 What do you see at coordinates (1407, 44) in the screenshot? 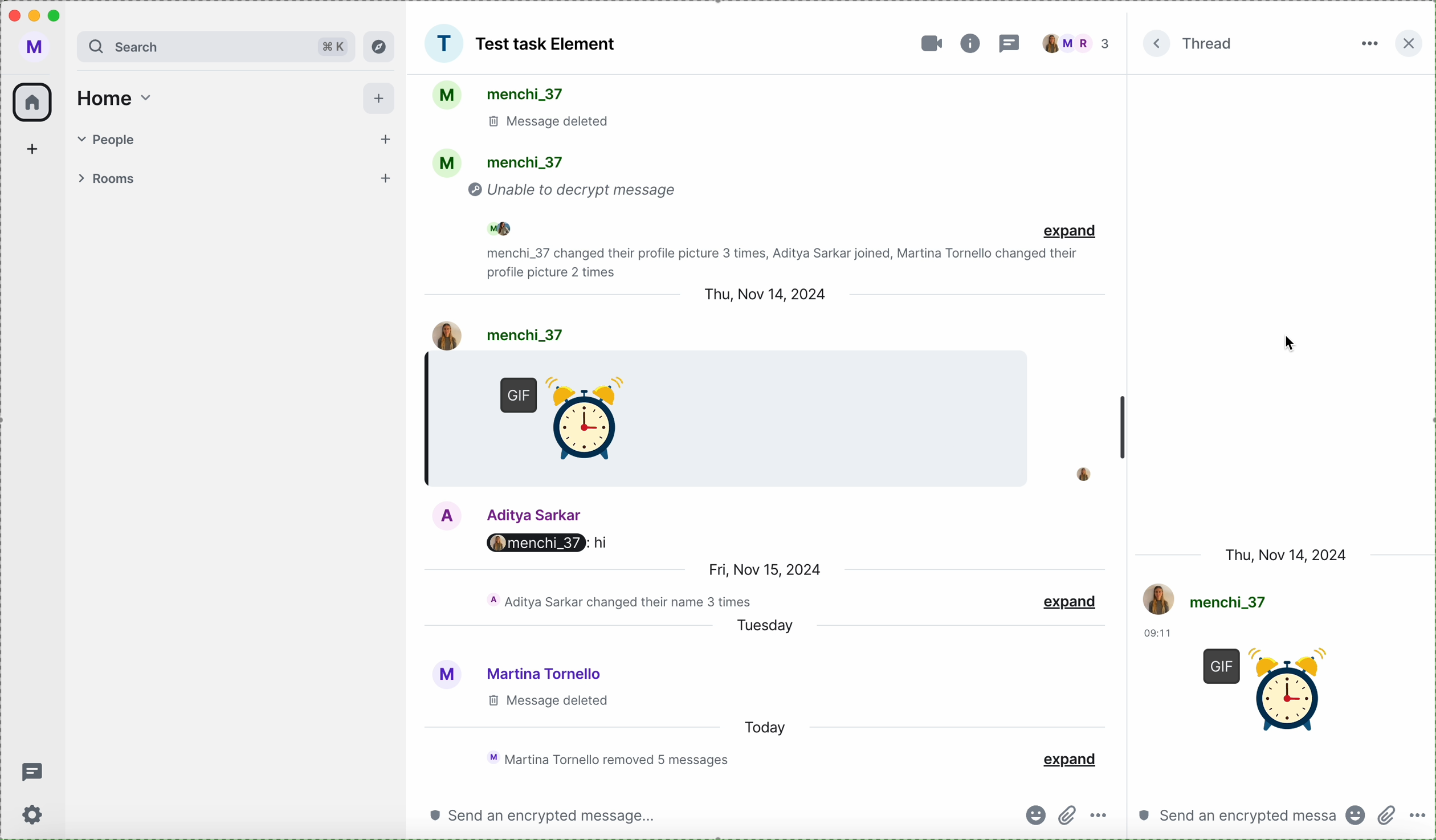
I see `close side bar` at bounding box center [1407, 44].